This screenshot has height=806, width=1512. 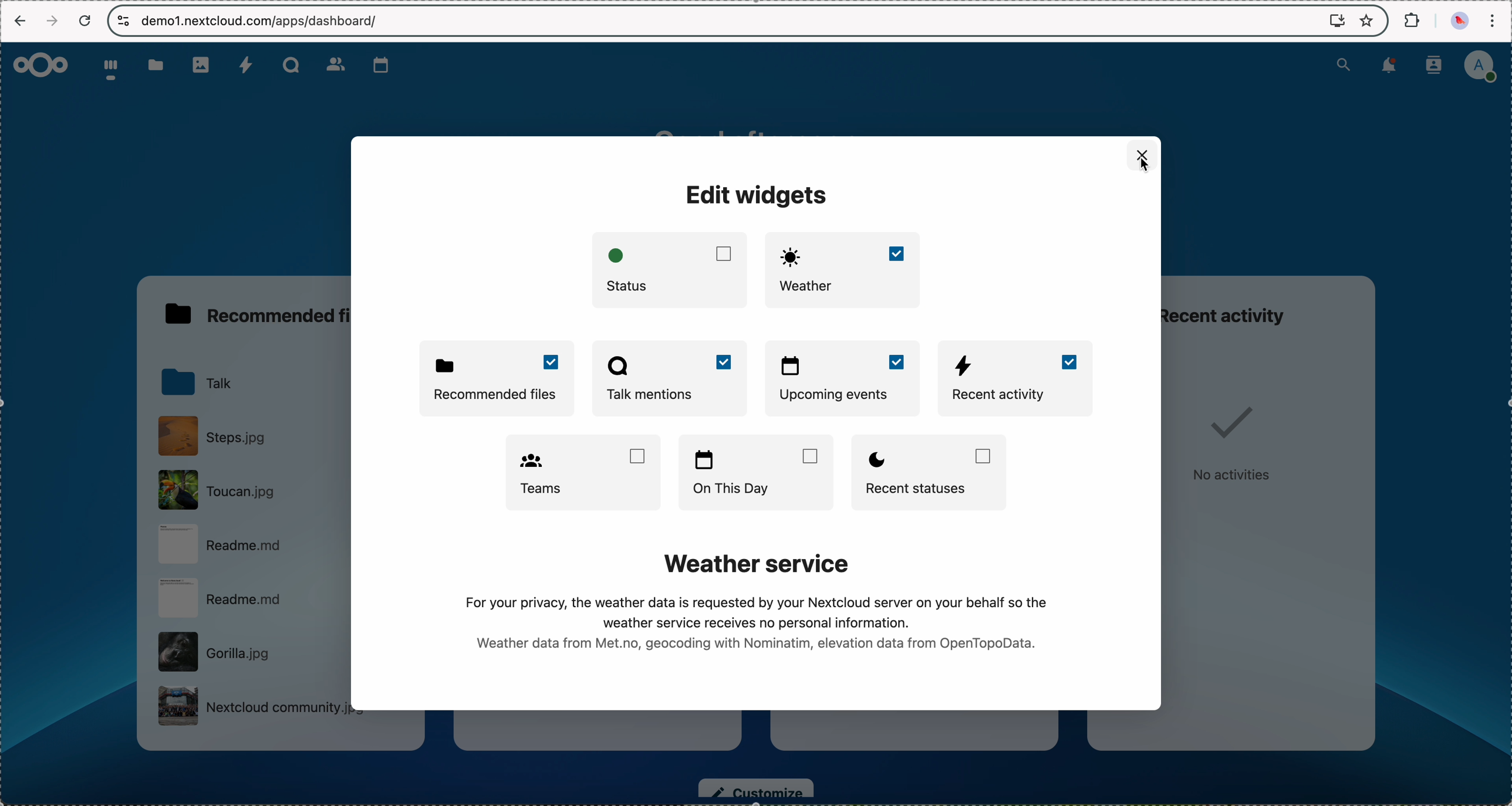 I want to click on photos, so click(x=202, y=65).